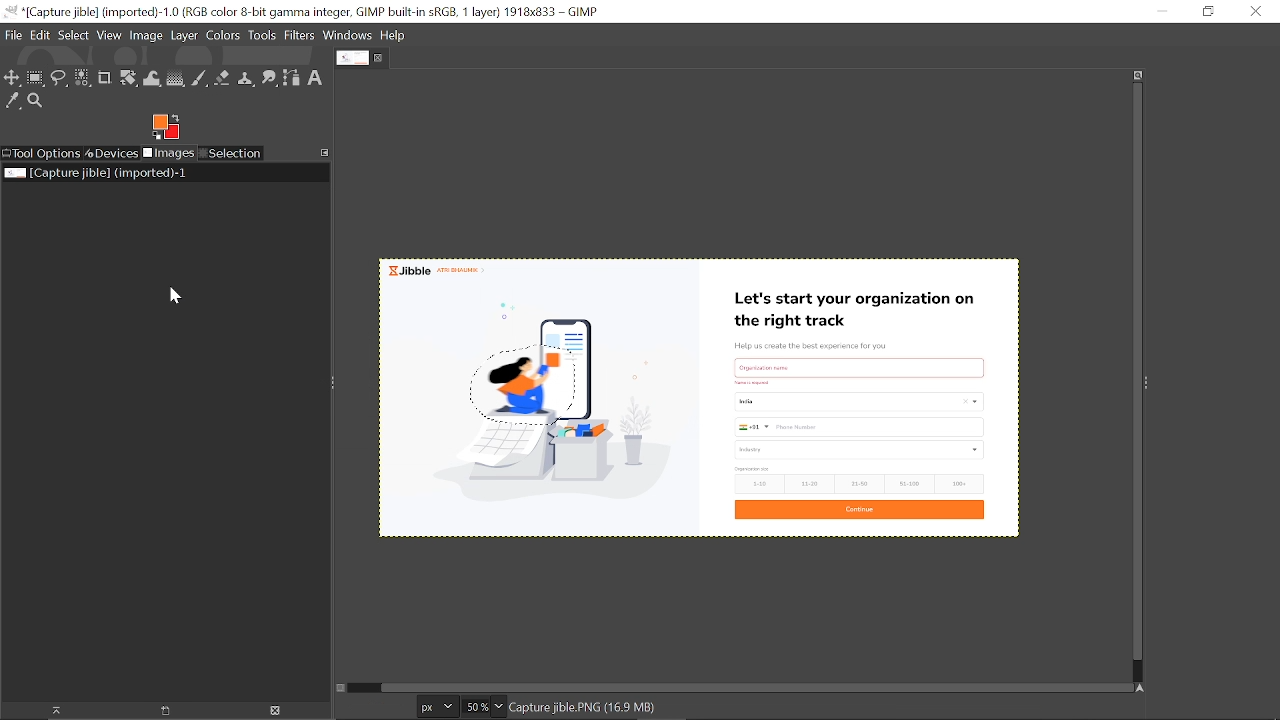  I want to click on Tools, so click(262, 36).